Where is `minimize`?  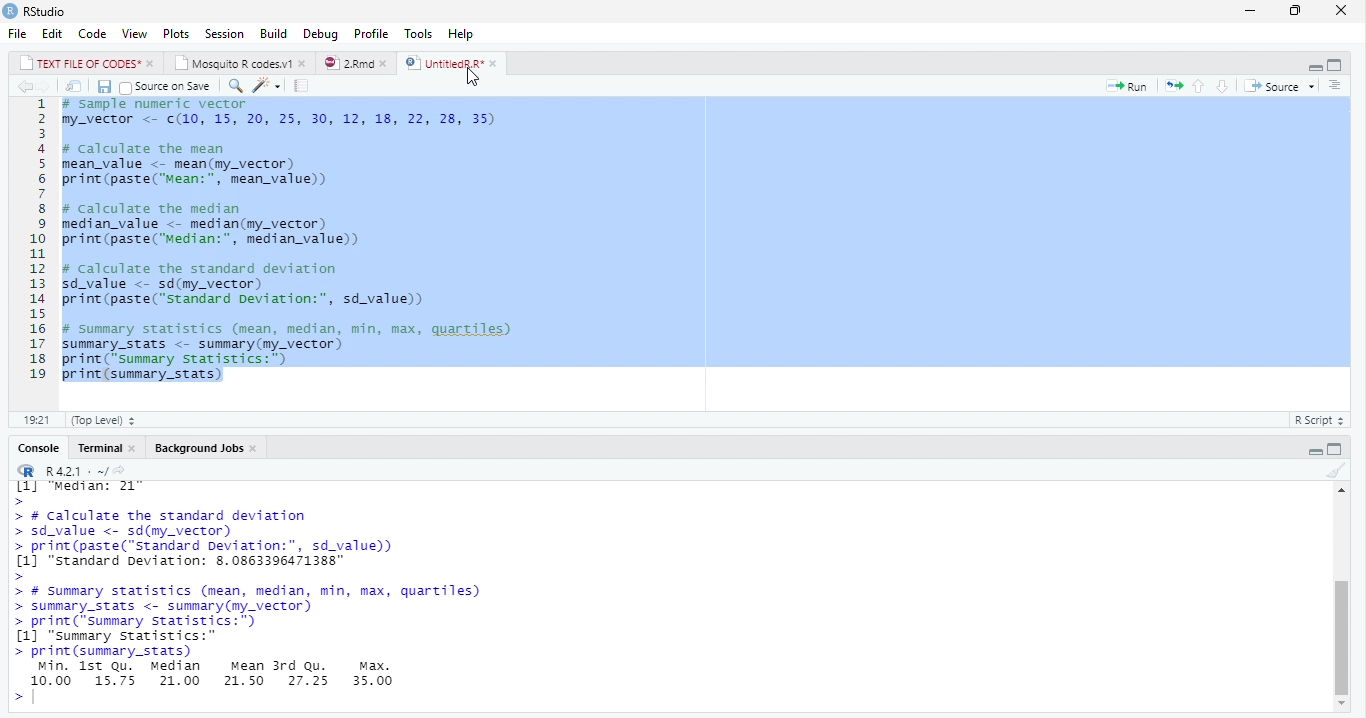 minimize is located at coordinates (1250, 12).